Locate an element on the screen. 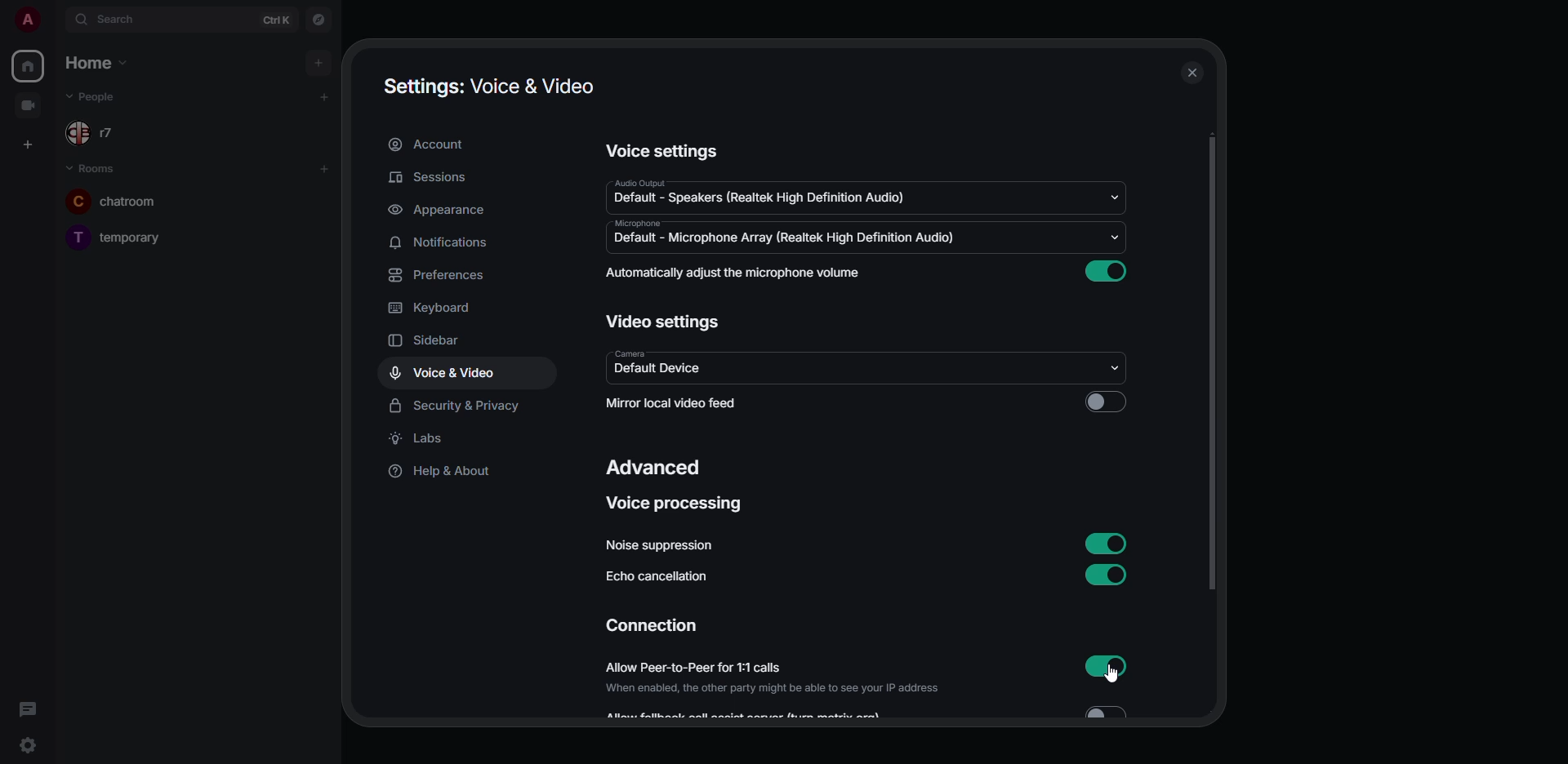  r7 is located at coordinates (101, 134).